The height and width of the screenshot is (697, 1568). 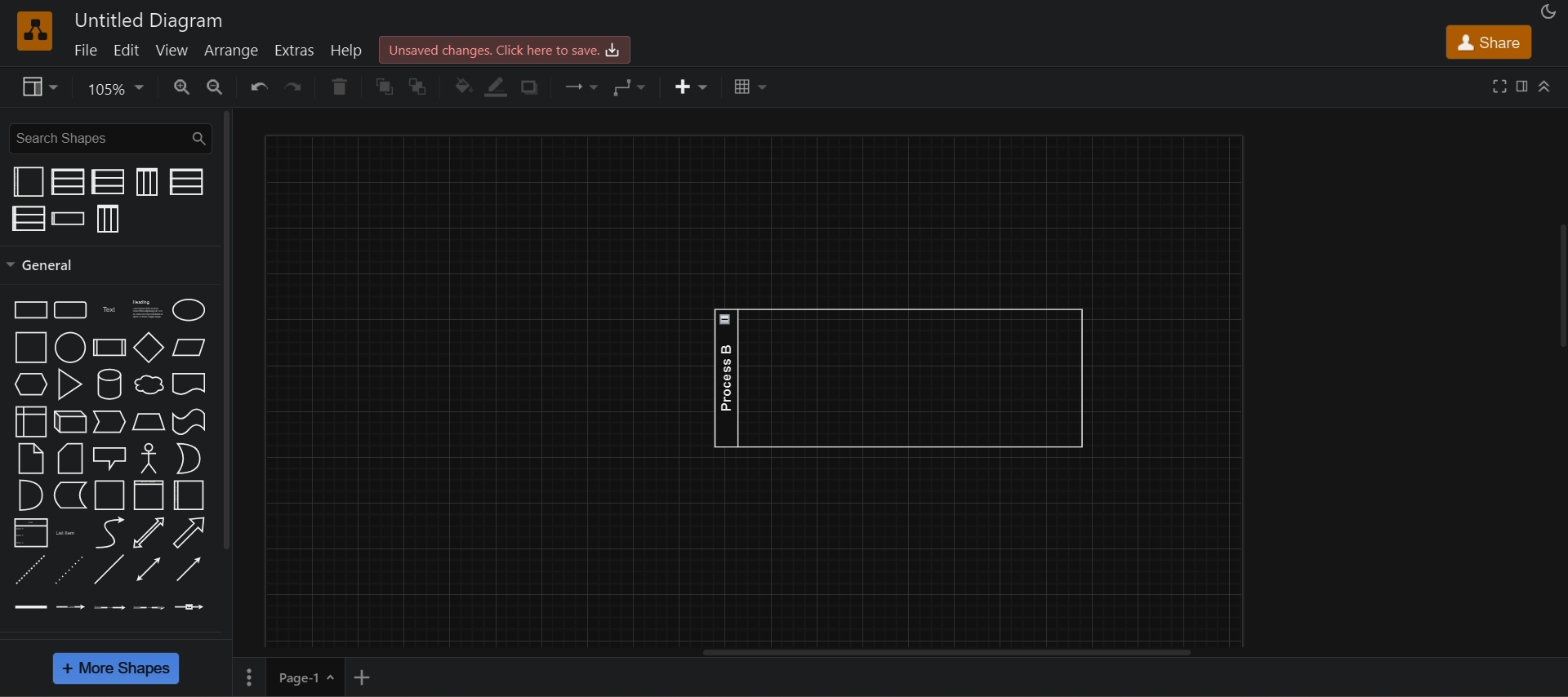 I want to click on diamond, so click(x=149, y=347).